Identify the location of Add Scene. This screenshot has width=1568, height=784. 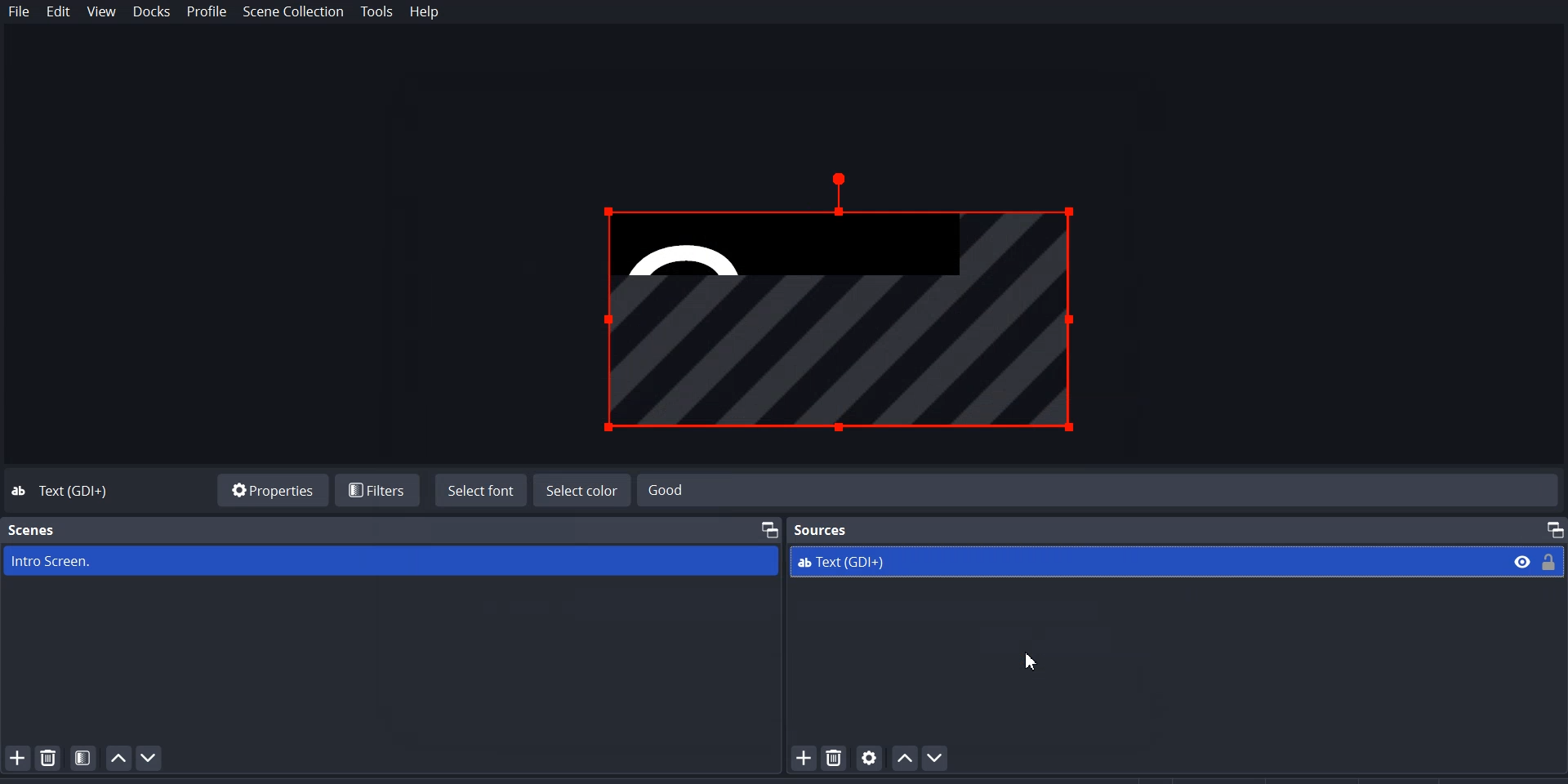
(15, 757).